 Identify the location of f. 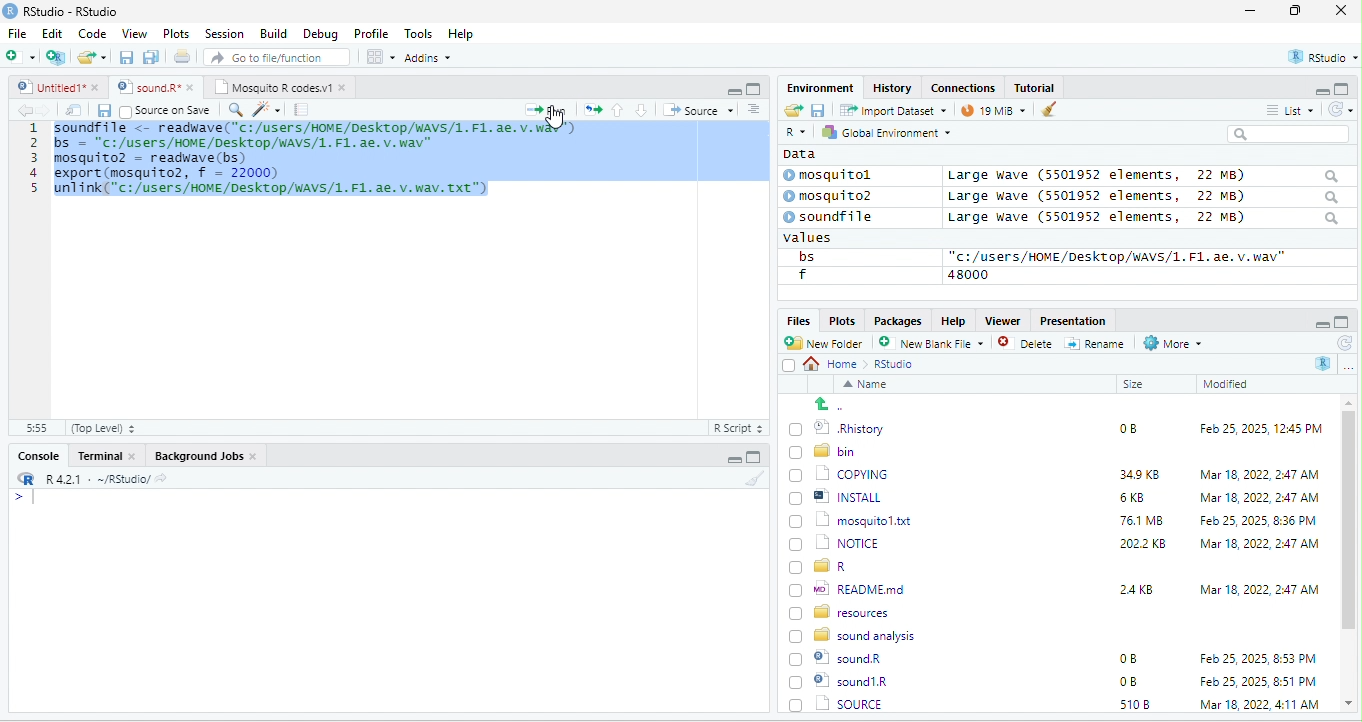
(802, 275).